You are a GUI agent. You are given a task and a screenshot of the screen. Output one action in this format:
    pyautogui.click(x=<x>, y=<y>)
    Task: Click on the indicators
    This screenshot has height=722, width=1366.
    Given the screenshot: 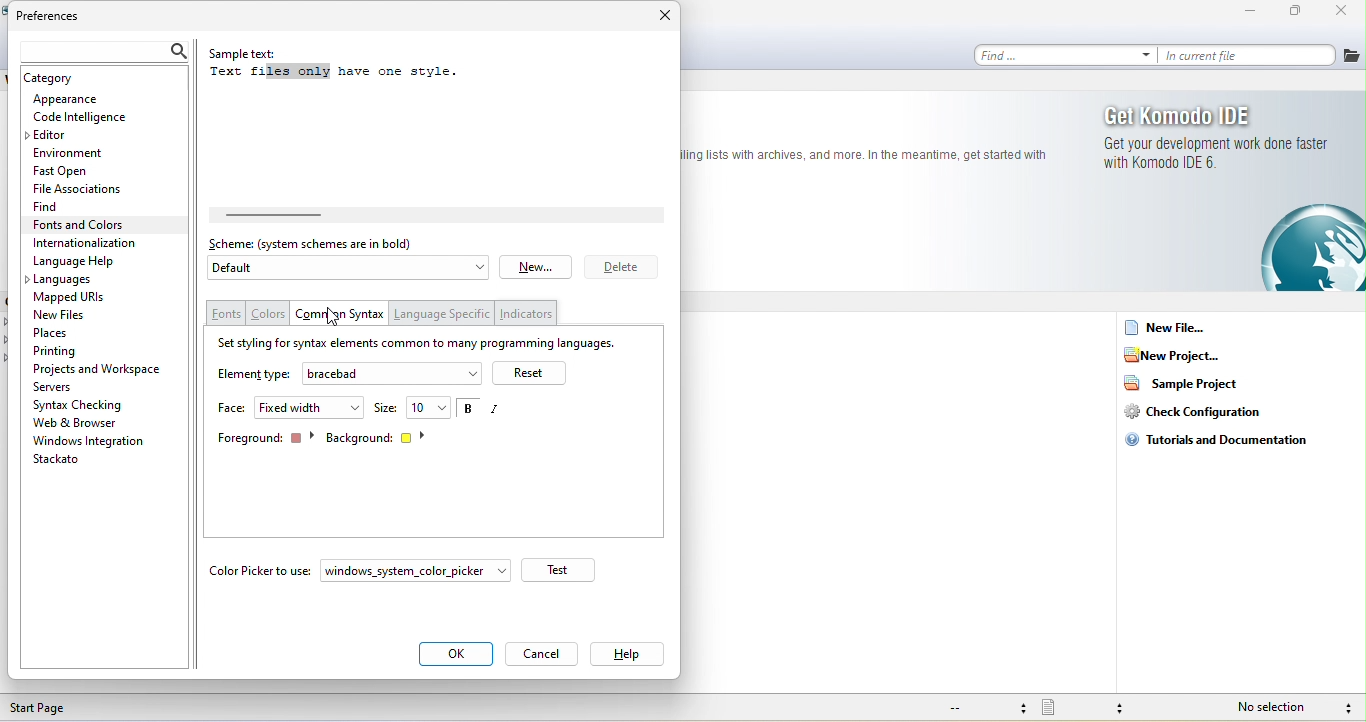 What is the action you would take?
    pyautogui.click(x=528, y=314)
    